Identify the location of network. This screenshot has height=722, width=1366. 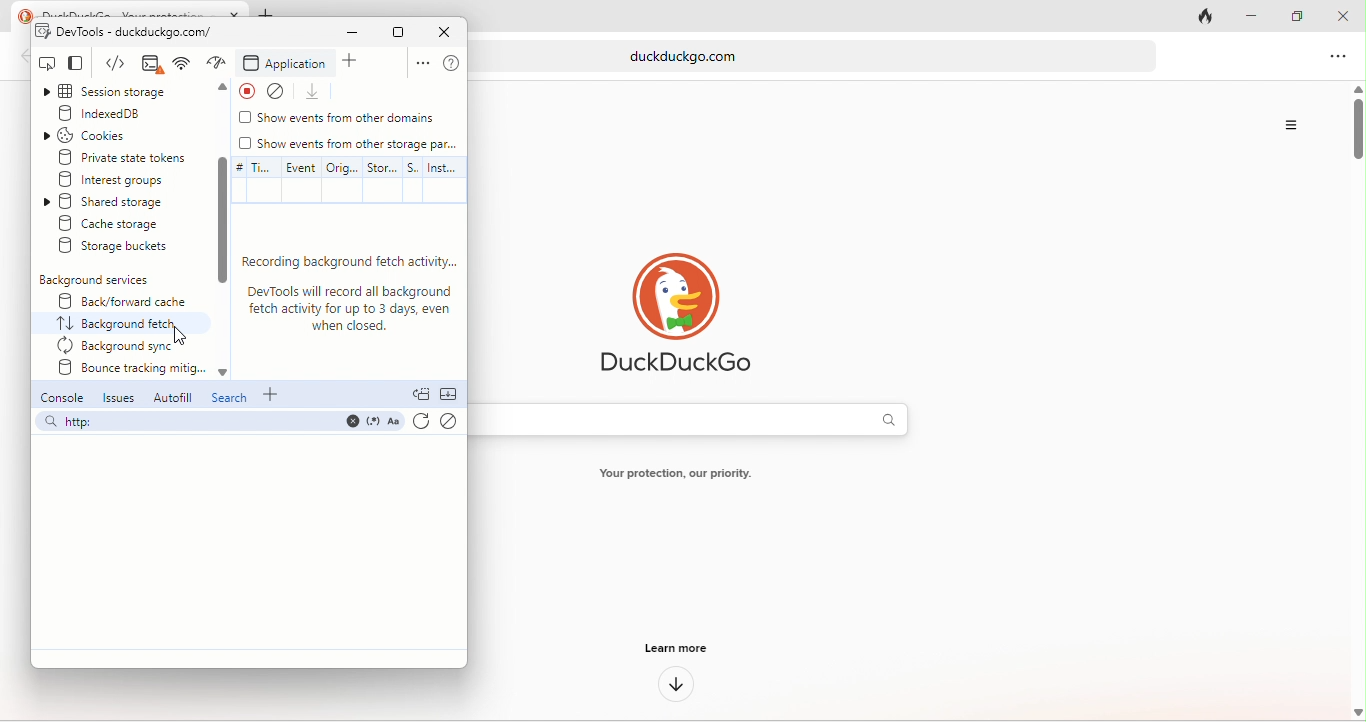
(216, 63).